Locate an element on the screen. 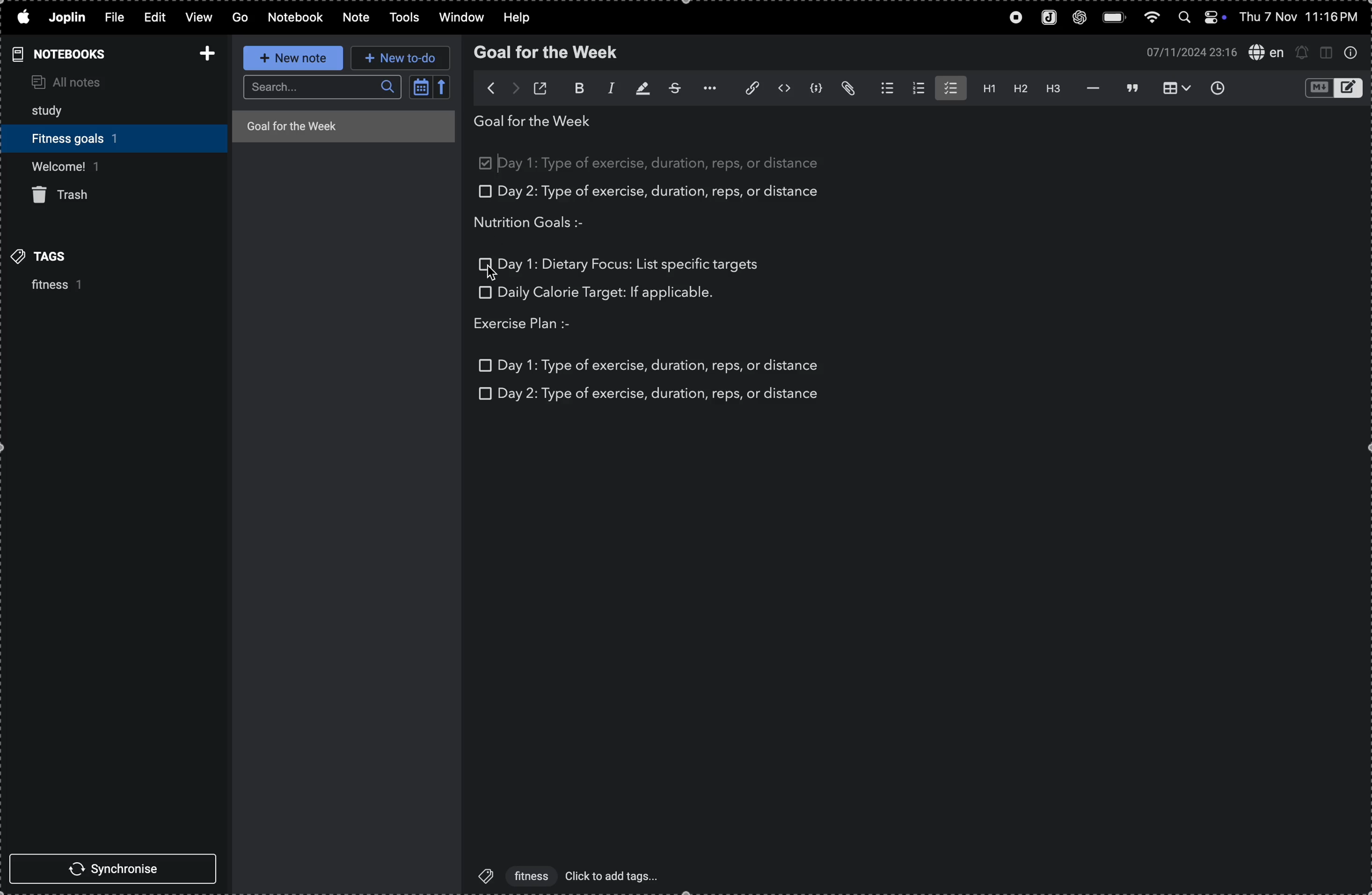 The height and width of the screenshot is (895, 1372). new to do is located at coordinates (400, 59).